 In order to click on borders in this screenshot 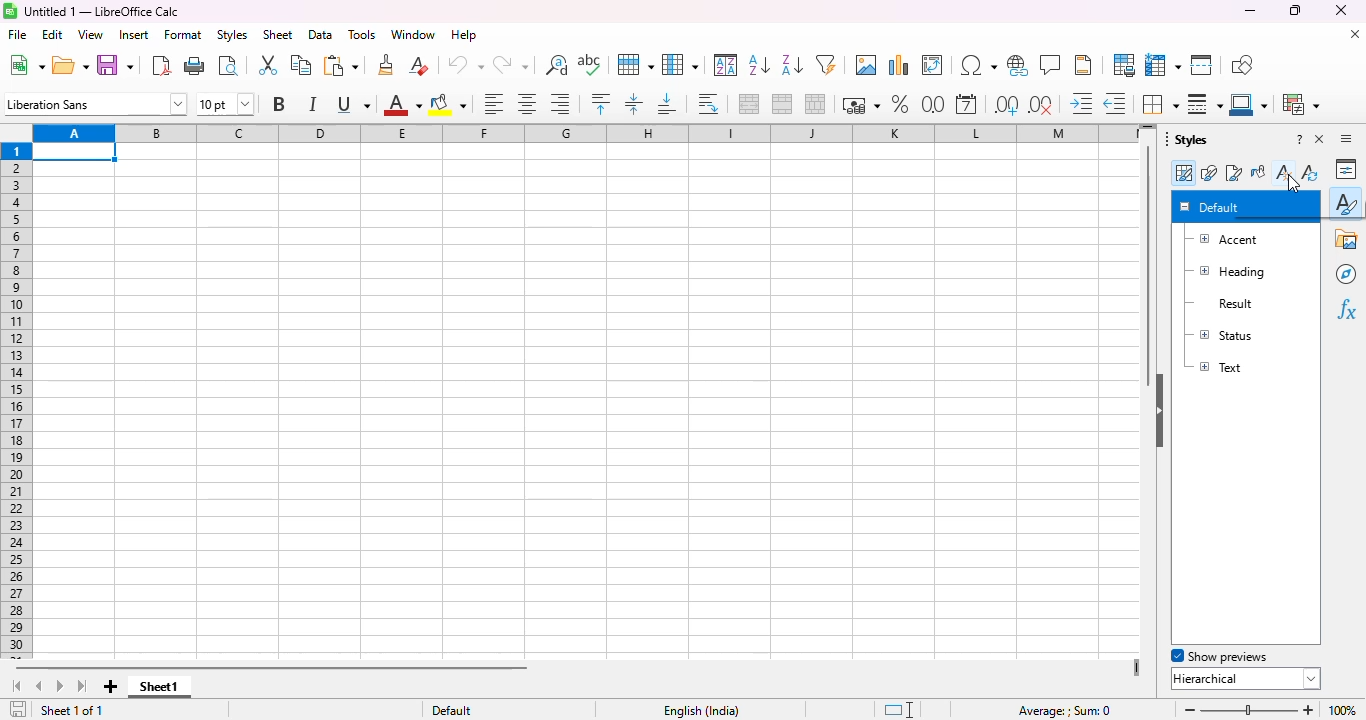, I will do `click(1159, 103)`.